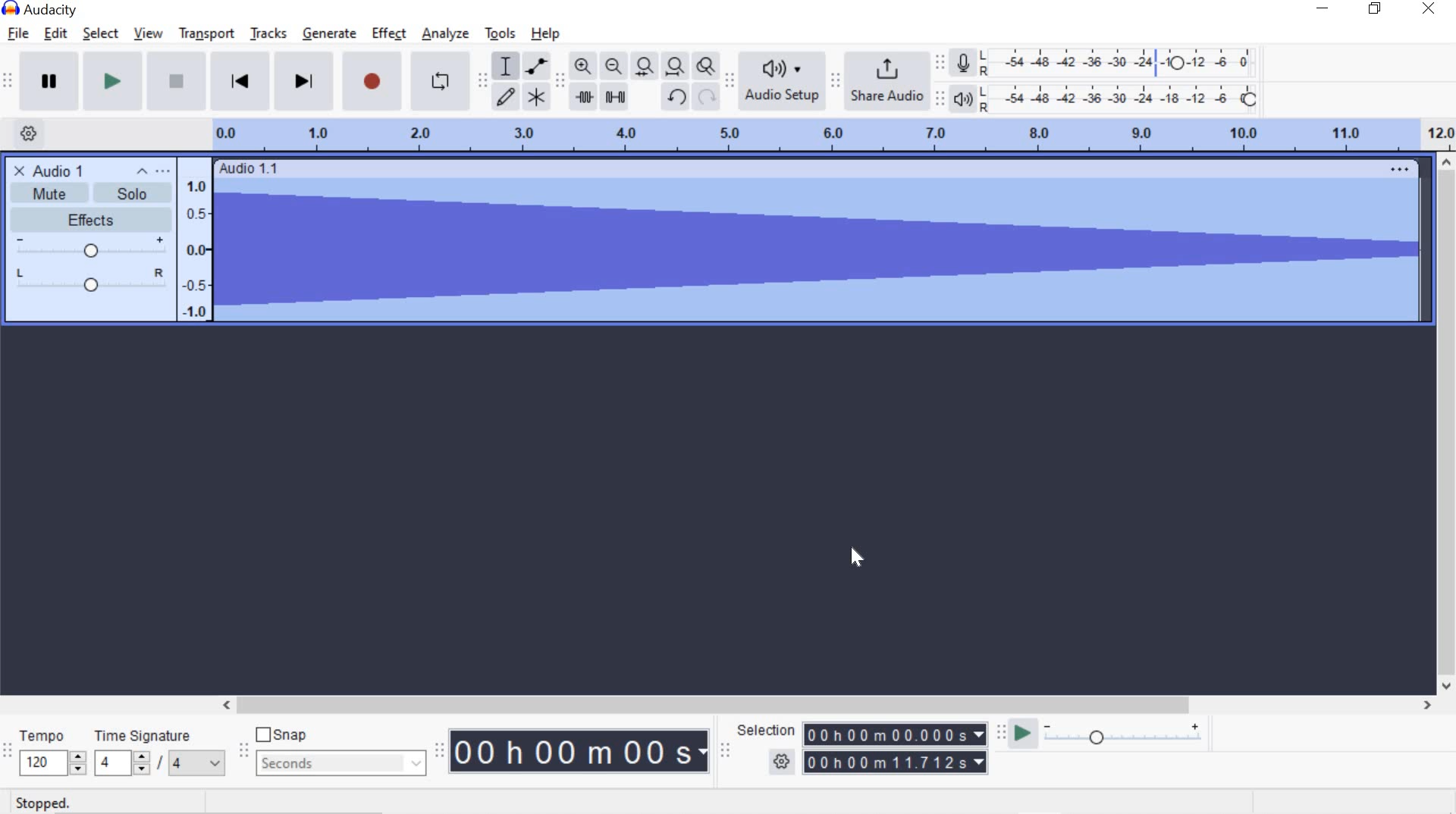  What do you see at coordinates (438, 80) in the screenshot?
I see `Enable Looping` at bounding box center [438, 80].